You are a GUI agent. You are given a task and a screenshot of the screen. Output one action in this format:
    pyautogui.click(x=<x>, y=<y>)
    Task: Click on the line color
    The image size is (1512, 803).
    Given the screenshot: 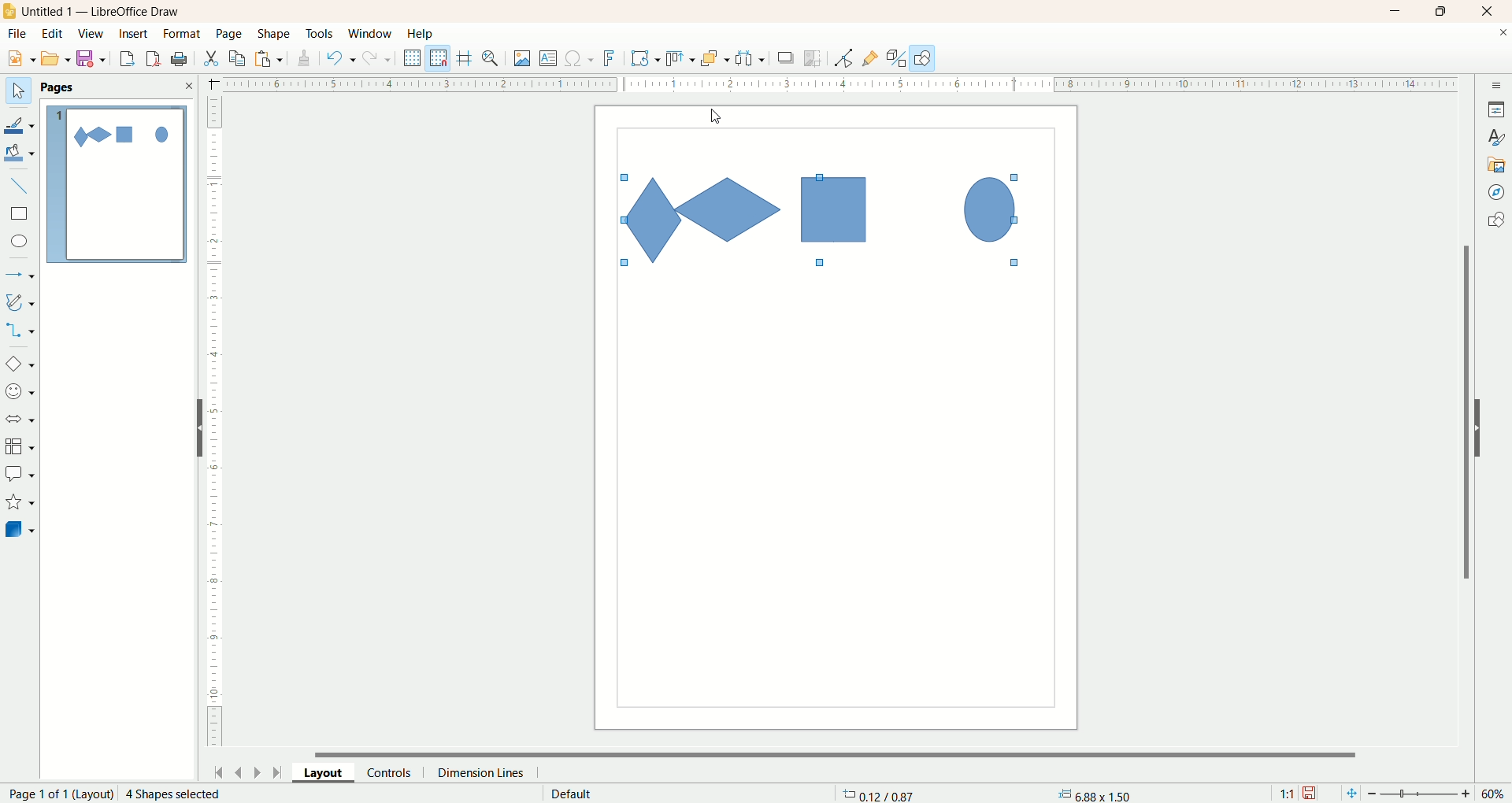 What is the action you would take?
    pyautogui.click(x=20, y=124)
    